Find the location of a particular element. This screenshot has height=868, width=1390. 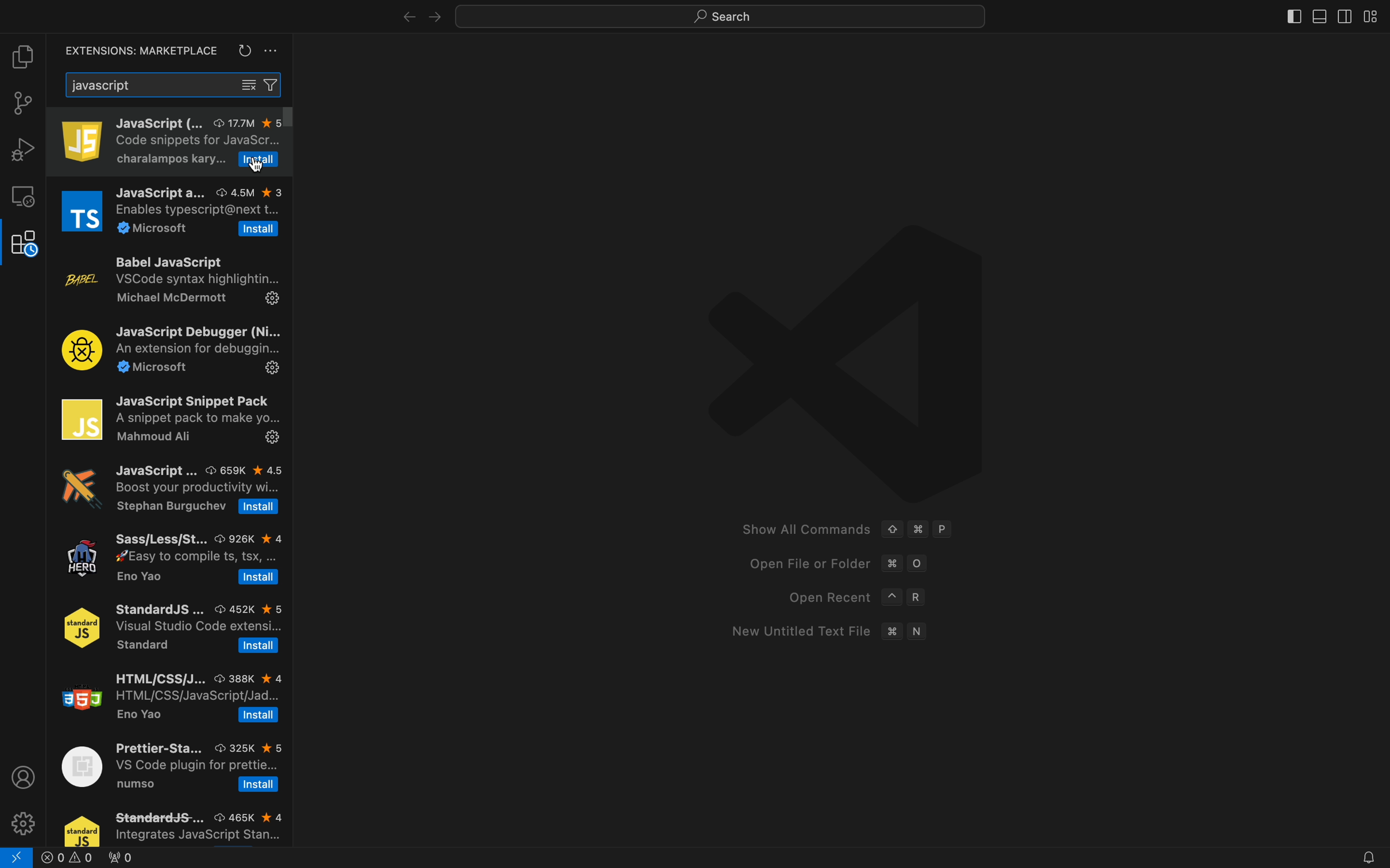

open file or folder is located at coordinates (829, 565).